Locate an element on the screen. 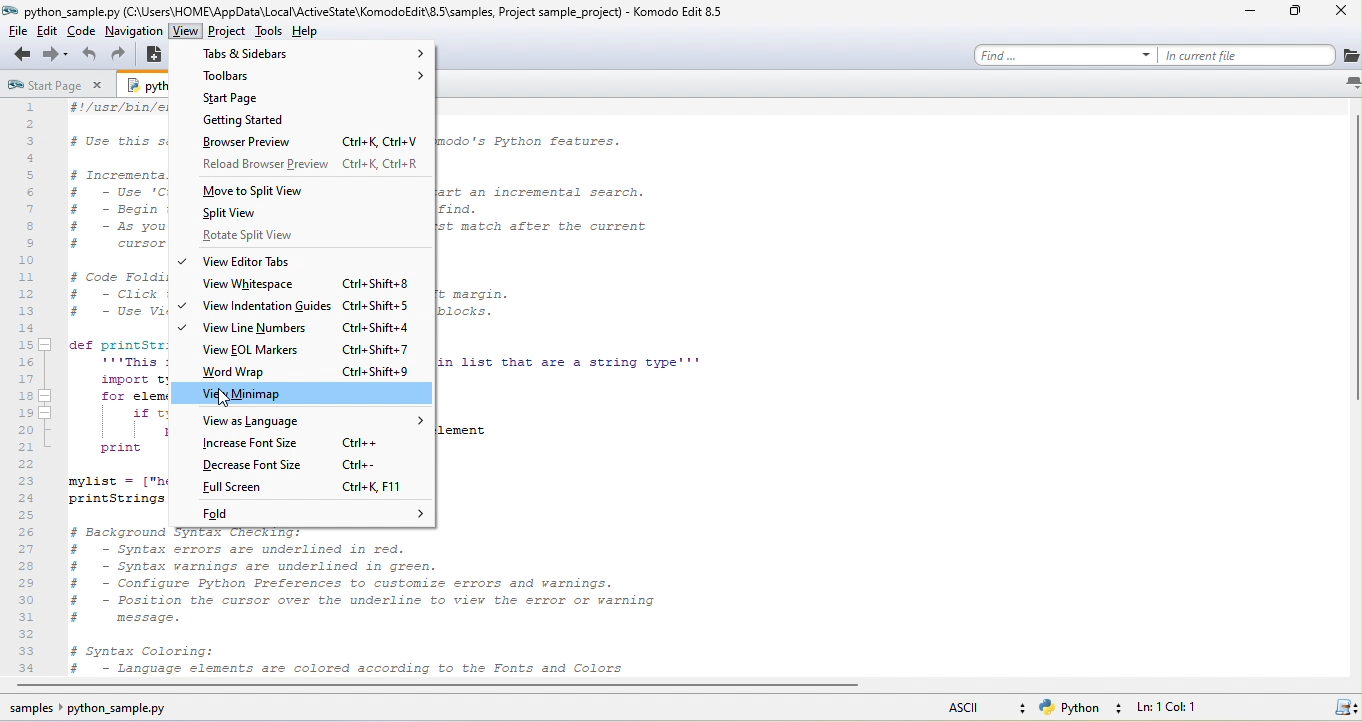  split view is located at coordinates (276, 216).